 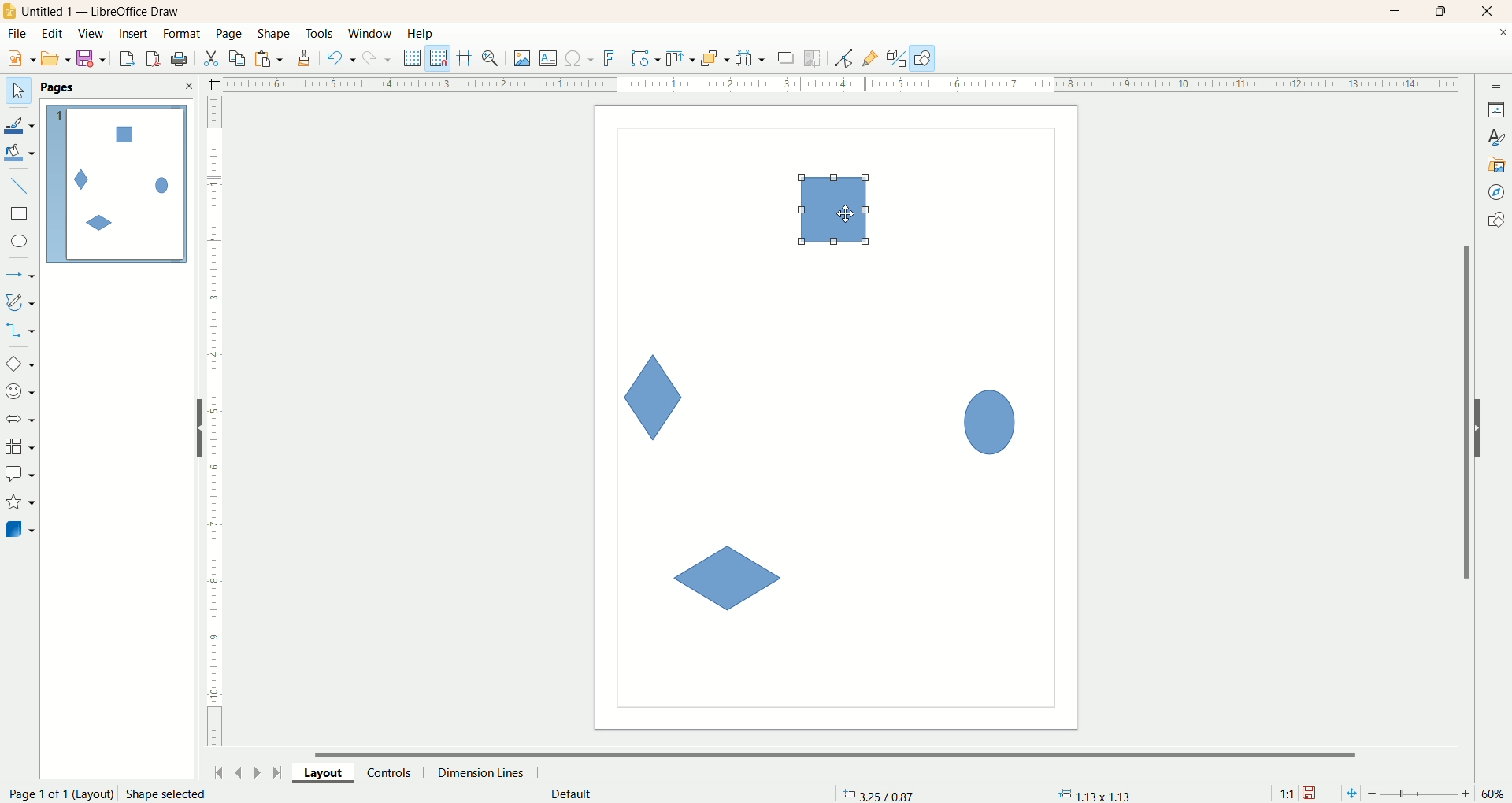 What do you see at coordinates (117, 184) in the screenshot?
I see `page1` at bounding box center [117, 184].